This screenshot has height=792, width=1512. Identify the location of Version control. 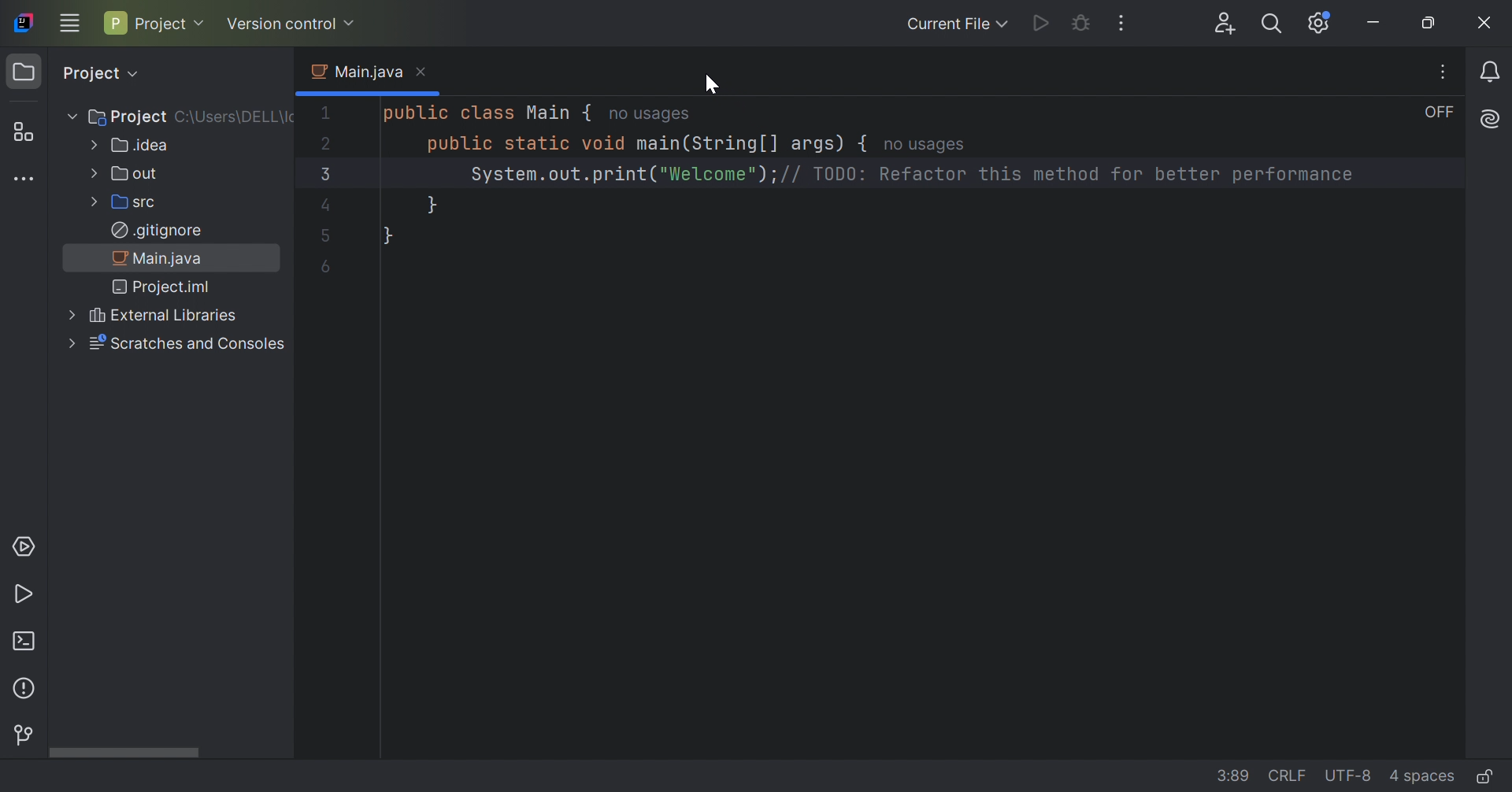
(23, 735).